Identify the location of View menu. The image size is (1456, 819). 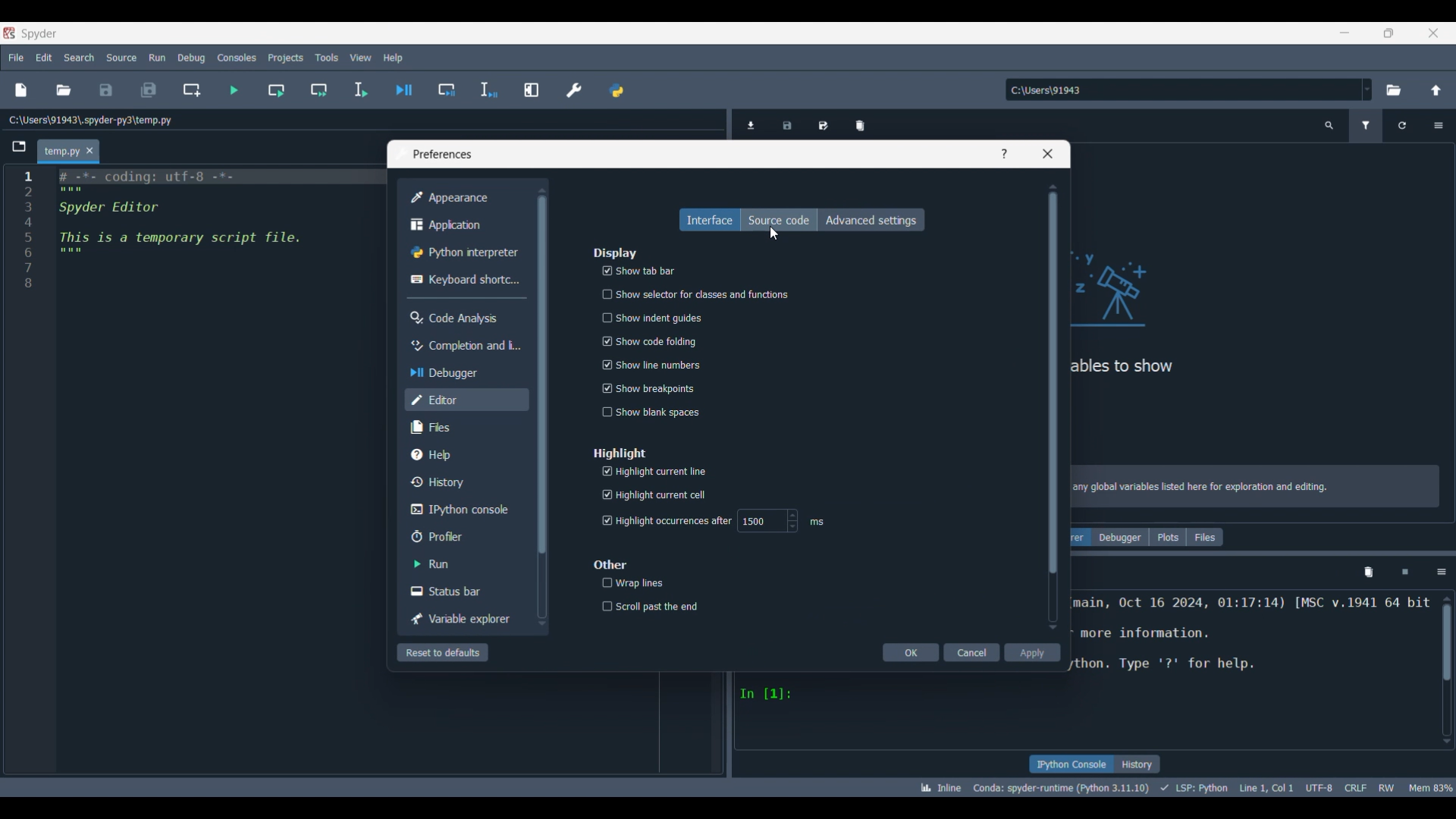
(362, 58).